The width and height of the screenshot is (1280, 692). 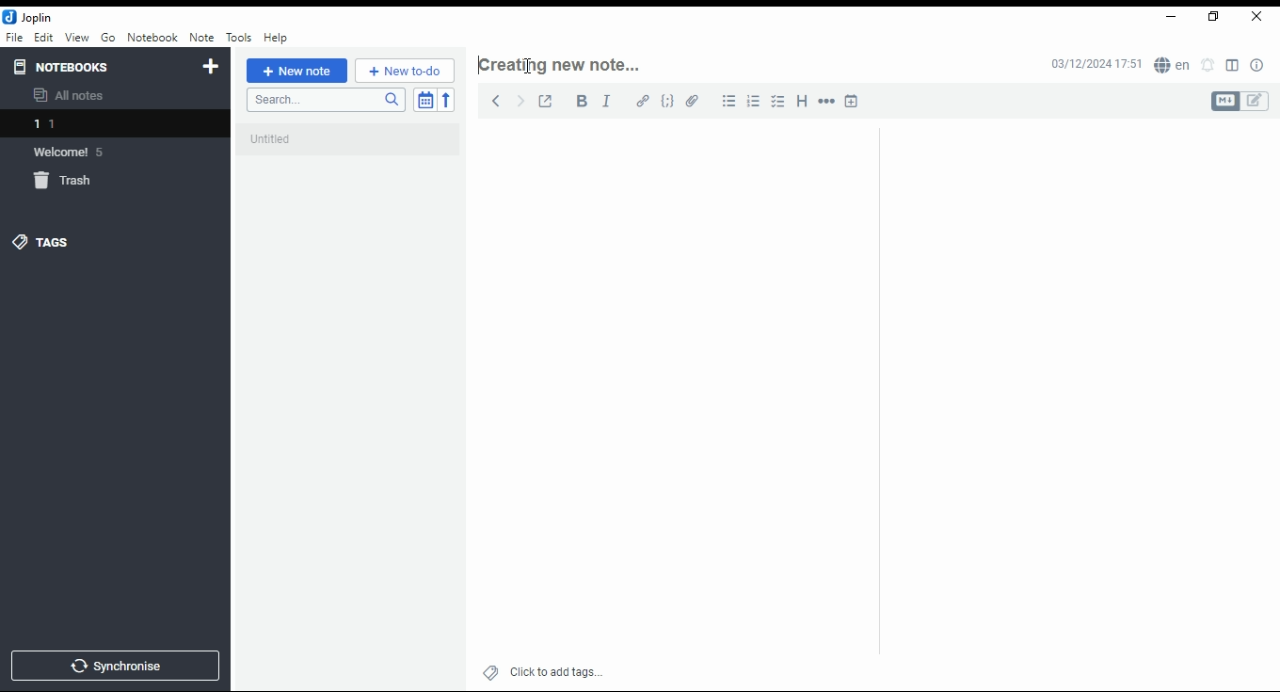 What do you see at coordinates (324, 101) in the screenshot?
I see `search notes` at bounding box center [324, 101].